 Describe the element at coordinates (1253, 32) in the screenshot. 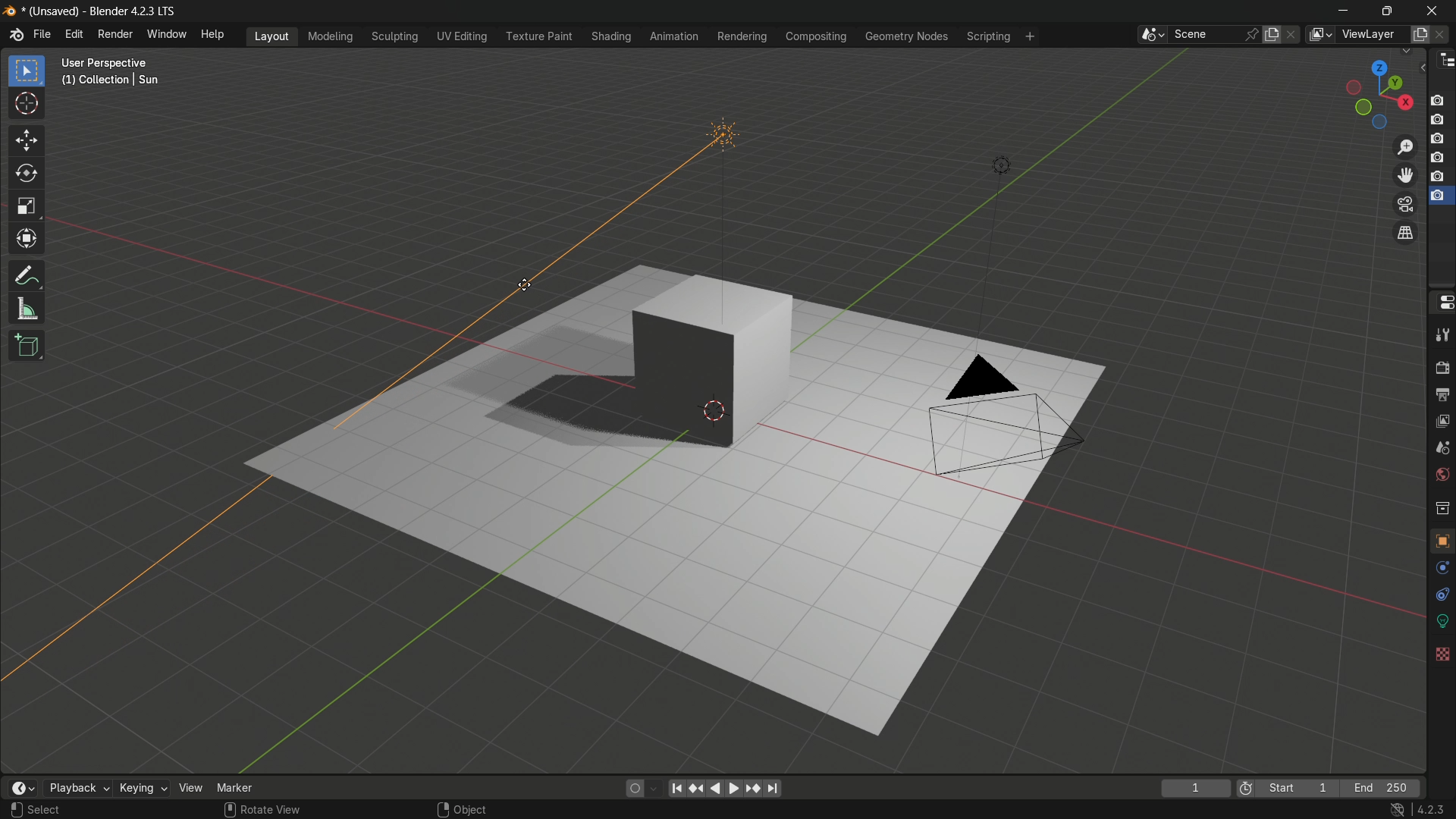

I see `pin scene to workplace` at that location.